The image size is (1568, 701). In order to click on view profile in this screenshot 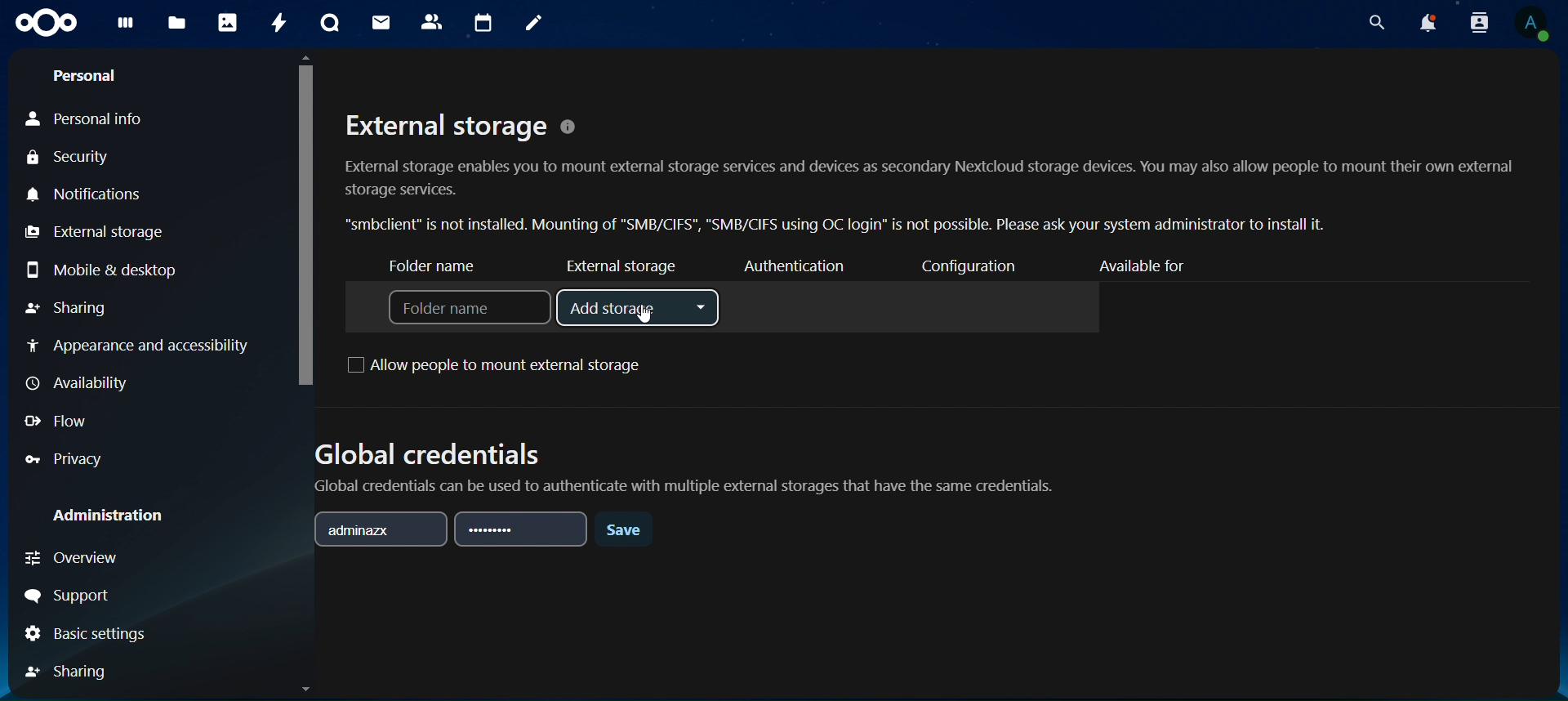, I will do `click(1530, 25)`.